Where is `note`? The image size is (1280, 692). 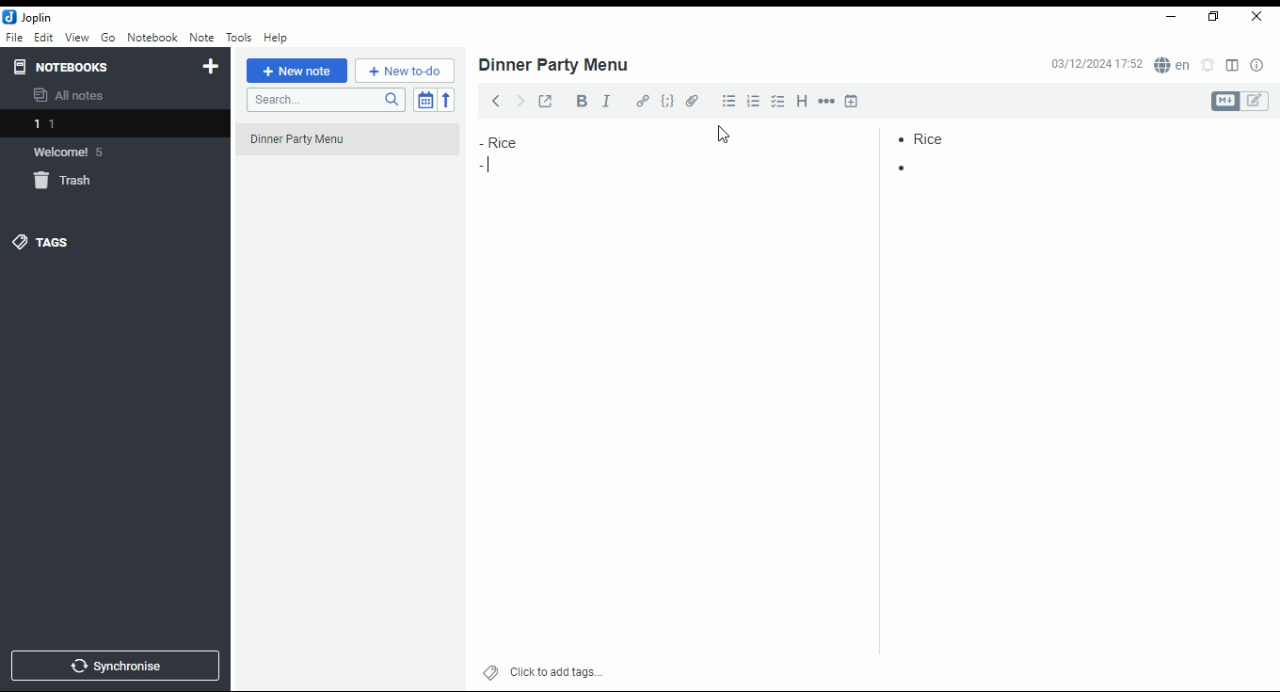
note is located at coordinates (200, 38).